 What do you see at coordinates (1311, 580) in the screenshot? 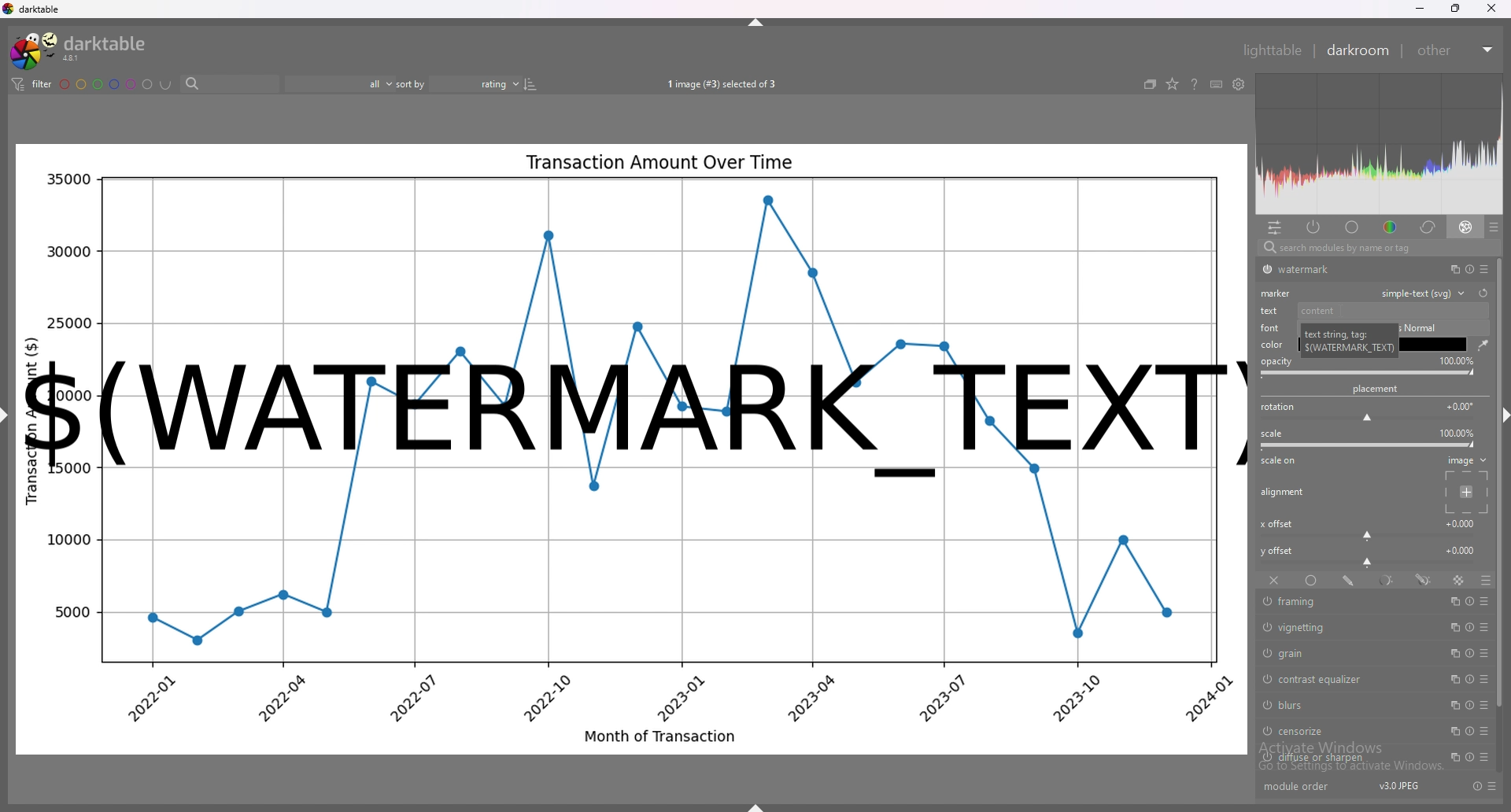
I see `uniformly` at bounding box center [1311, 580].